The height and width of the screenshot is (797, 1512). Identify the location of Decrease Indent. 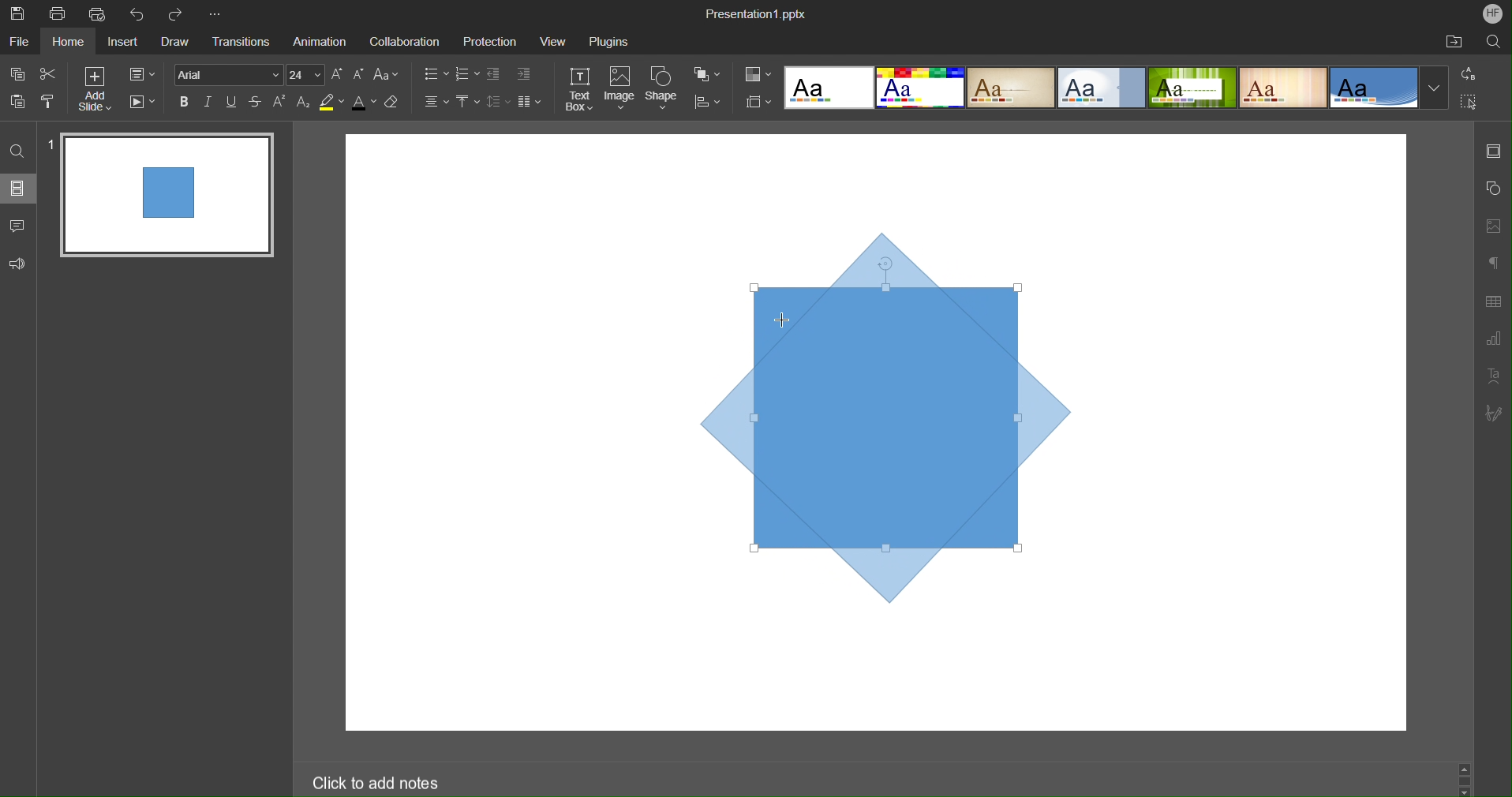
(494, 74).